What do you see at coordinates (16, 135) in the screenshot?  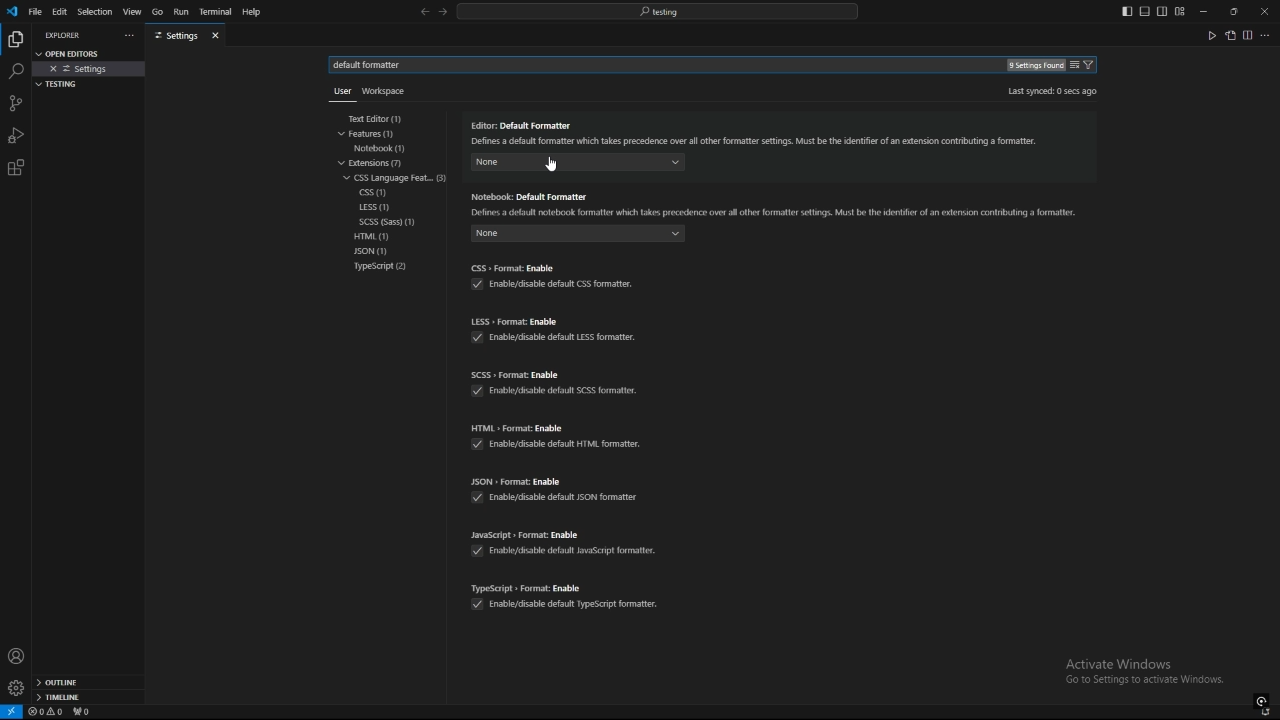 I see `run and debug` at bounding box center [16, 135].